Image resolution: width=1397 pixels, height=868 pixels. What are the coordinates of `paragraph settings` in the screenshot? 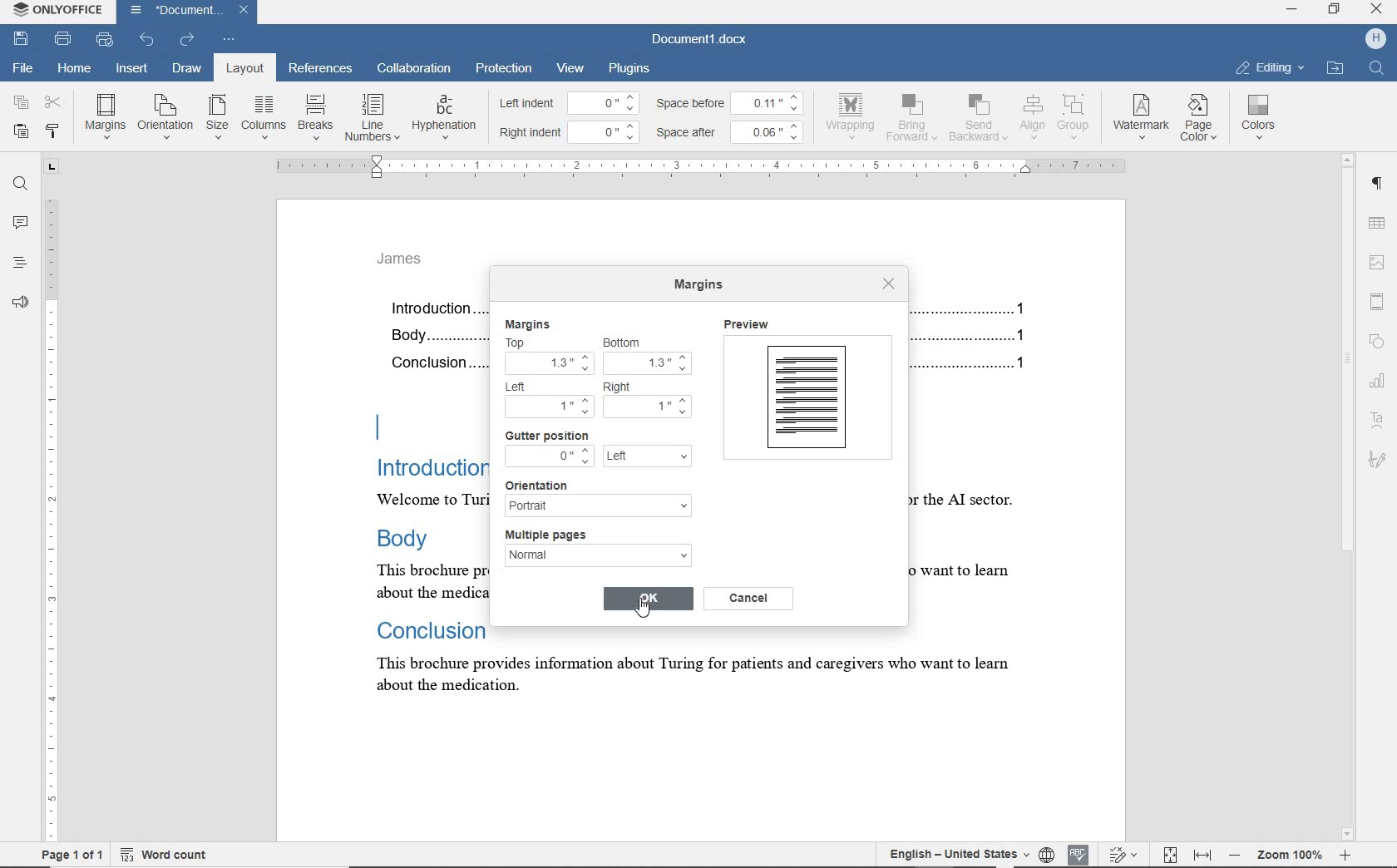 It's located at (1380, 187).